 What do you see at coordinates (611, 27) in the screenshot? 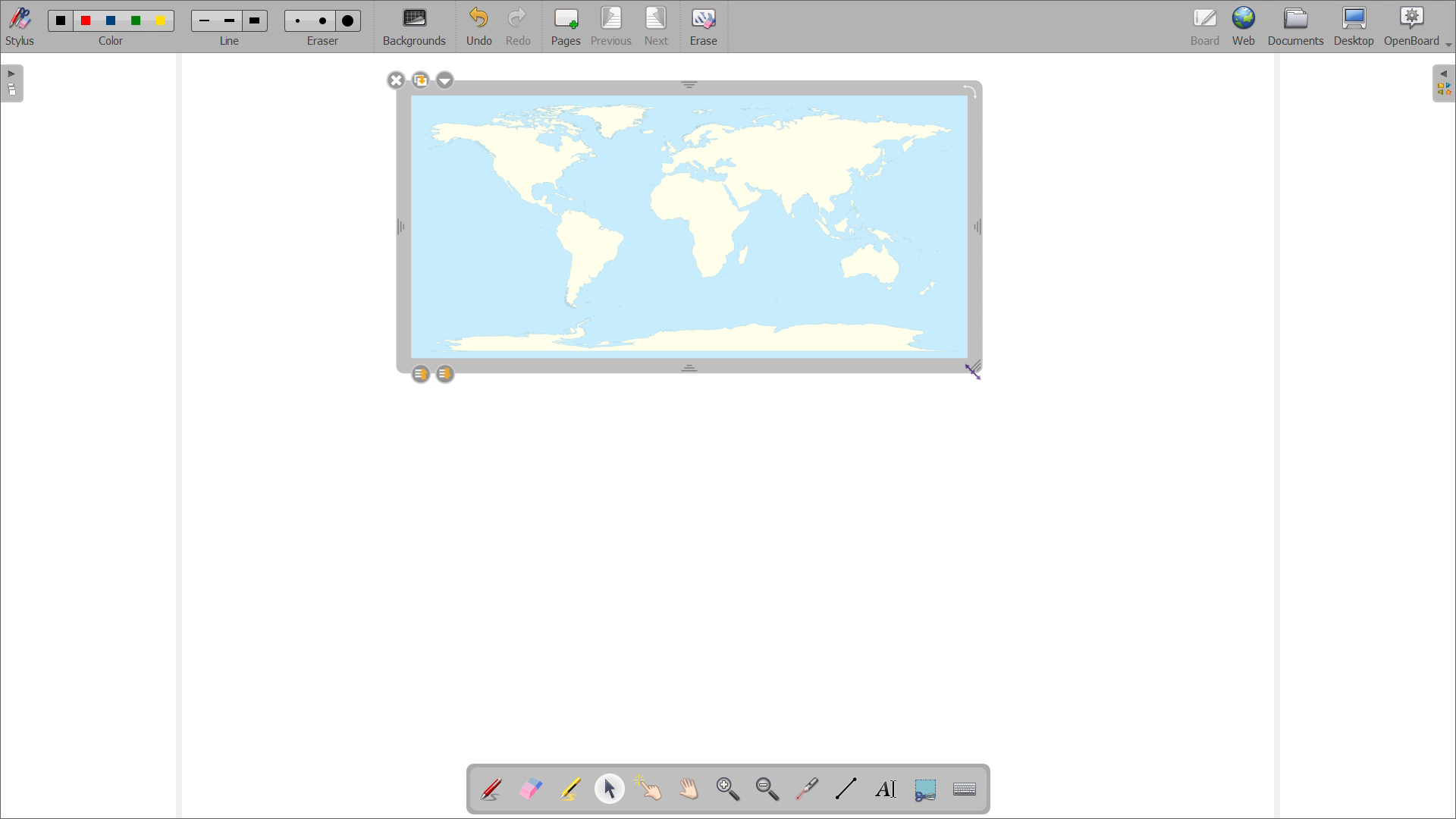
I see `previous page` at bounding box center [611, 27].